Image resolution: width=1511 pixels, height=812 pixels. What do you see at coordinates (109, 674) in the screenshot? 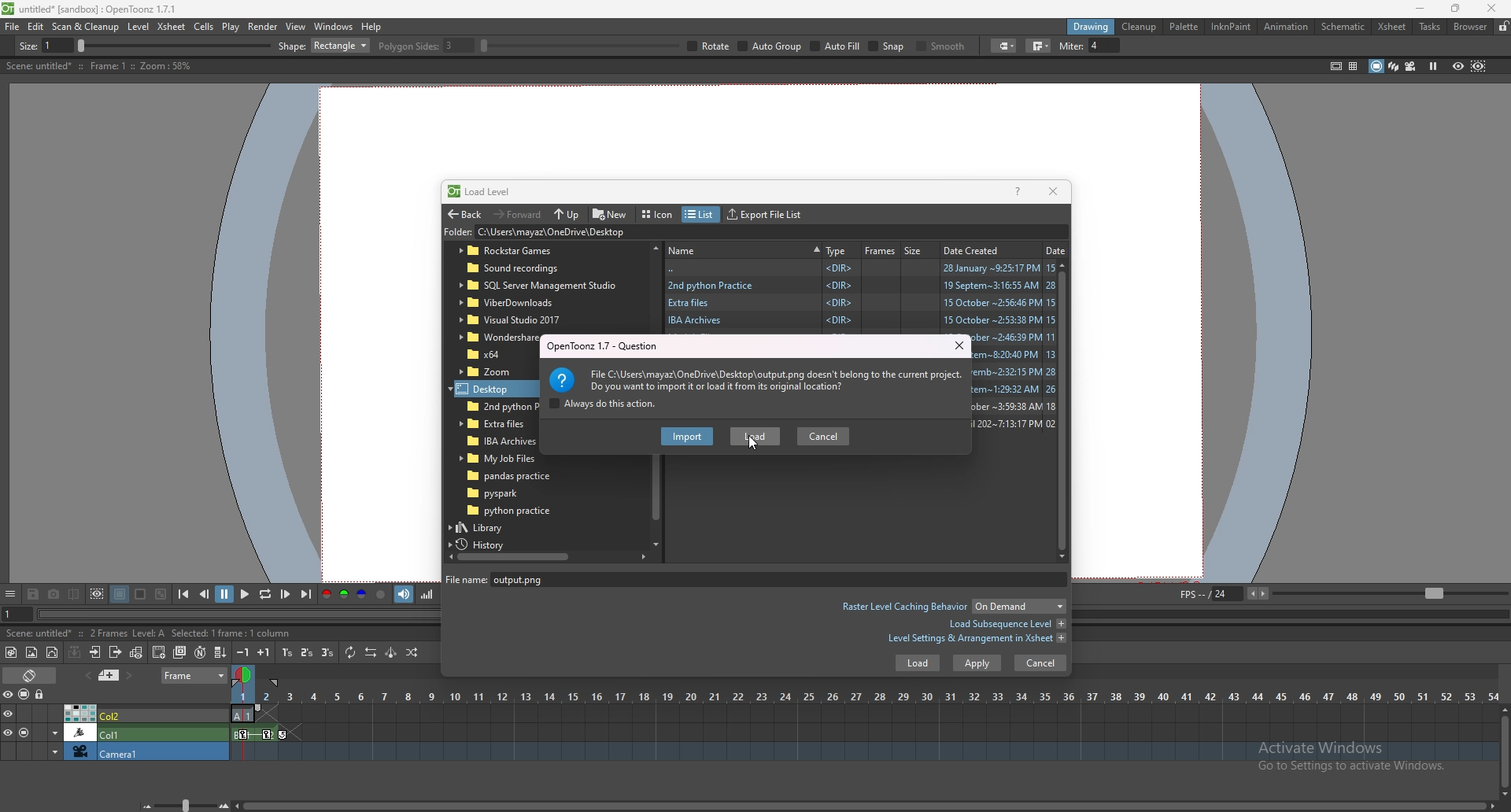
I see `add memo` at bounding box center [109, 674].